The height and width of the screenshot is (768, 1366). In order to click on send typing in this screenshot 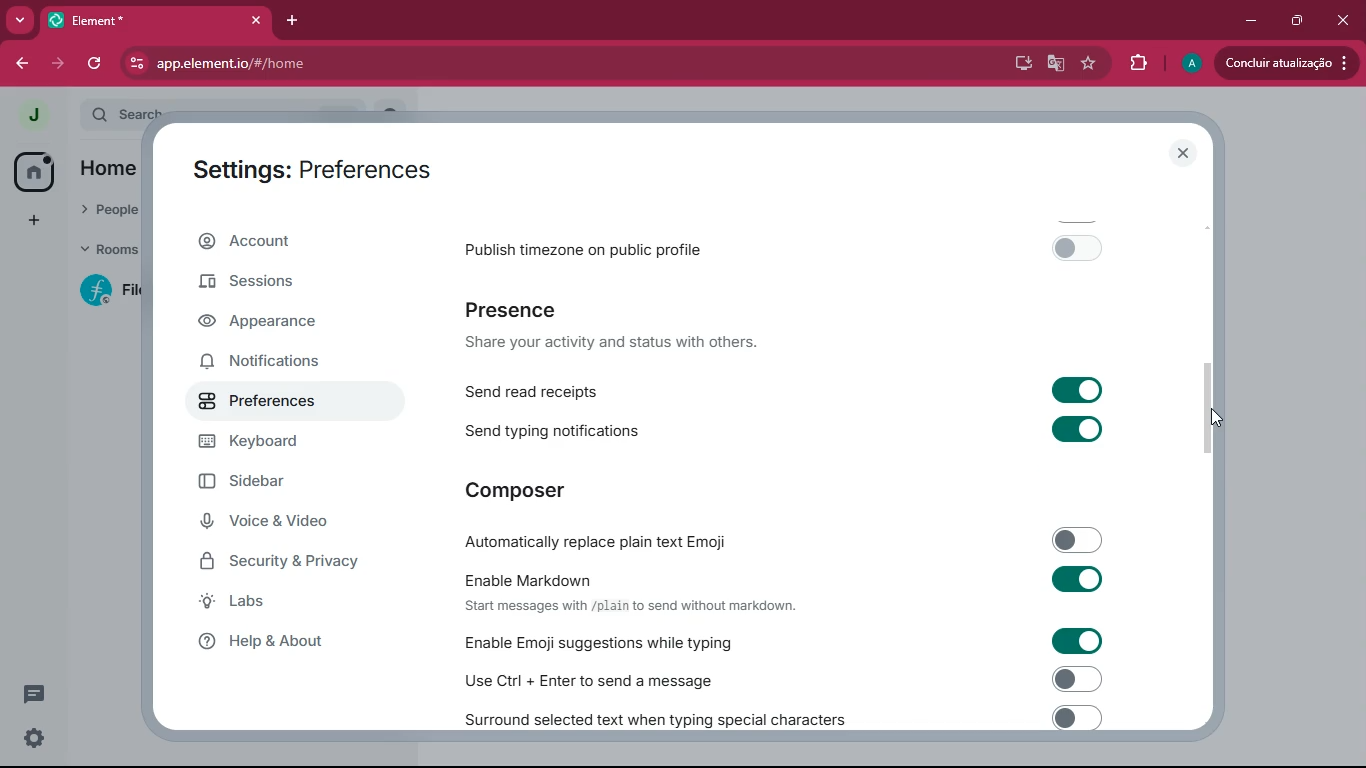, I will do `click(785, 430)`.